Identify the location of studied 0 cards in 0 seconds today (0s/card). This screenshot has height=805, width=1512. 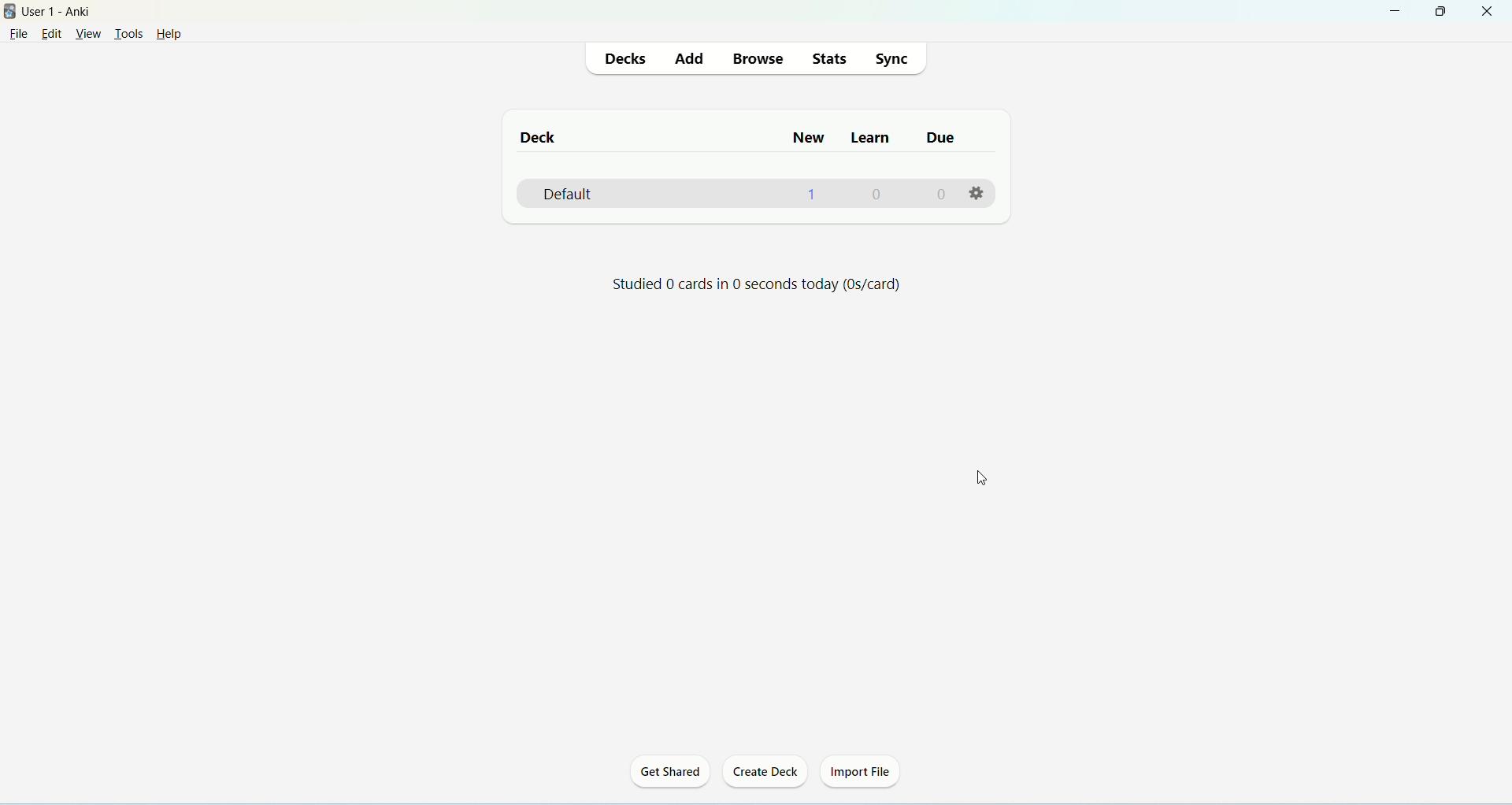
(763, 286).